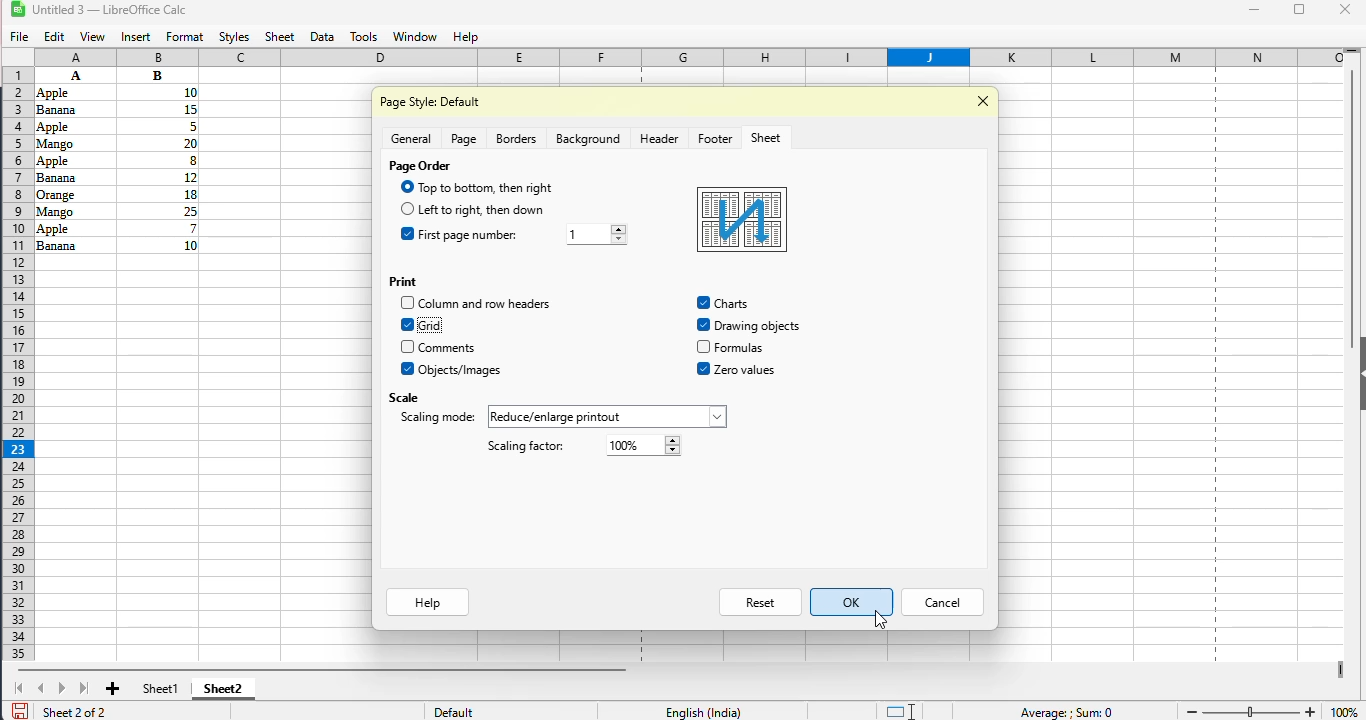  I want to click on data, so click(322, 38).